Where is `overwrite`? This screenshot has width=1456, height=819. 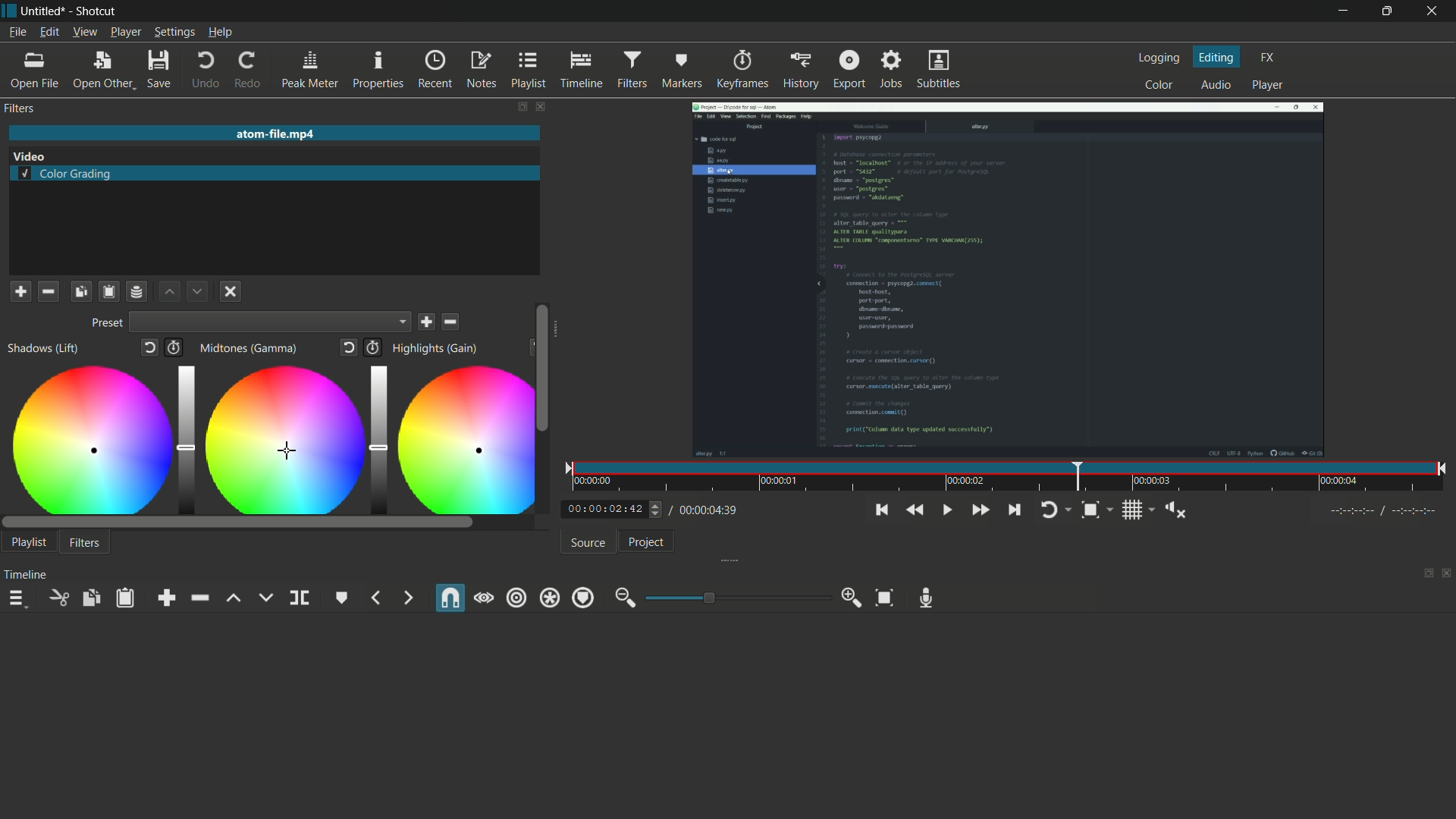 overwrite is located at coordinates (265, 598).